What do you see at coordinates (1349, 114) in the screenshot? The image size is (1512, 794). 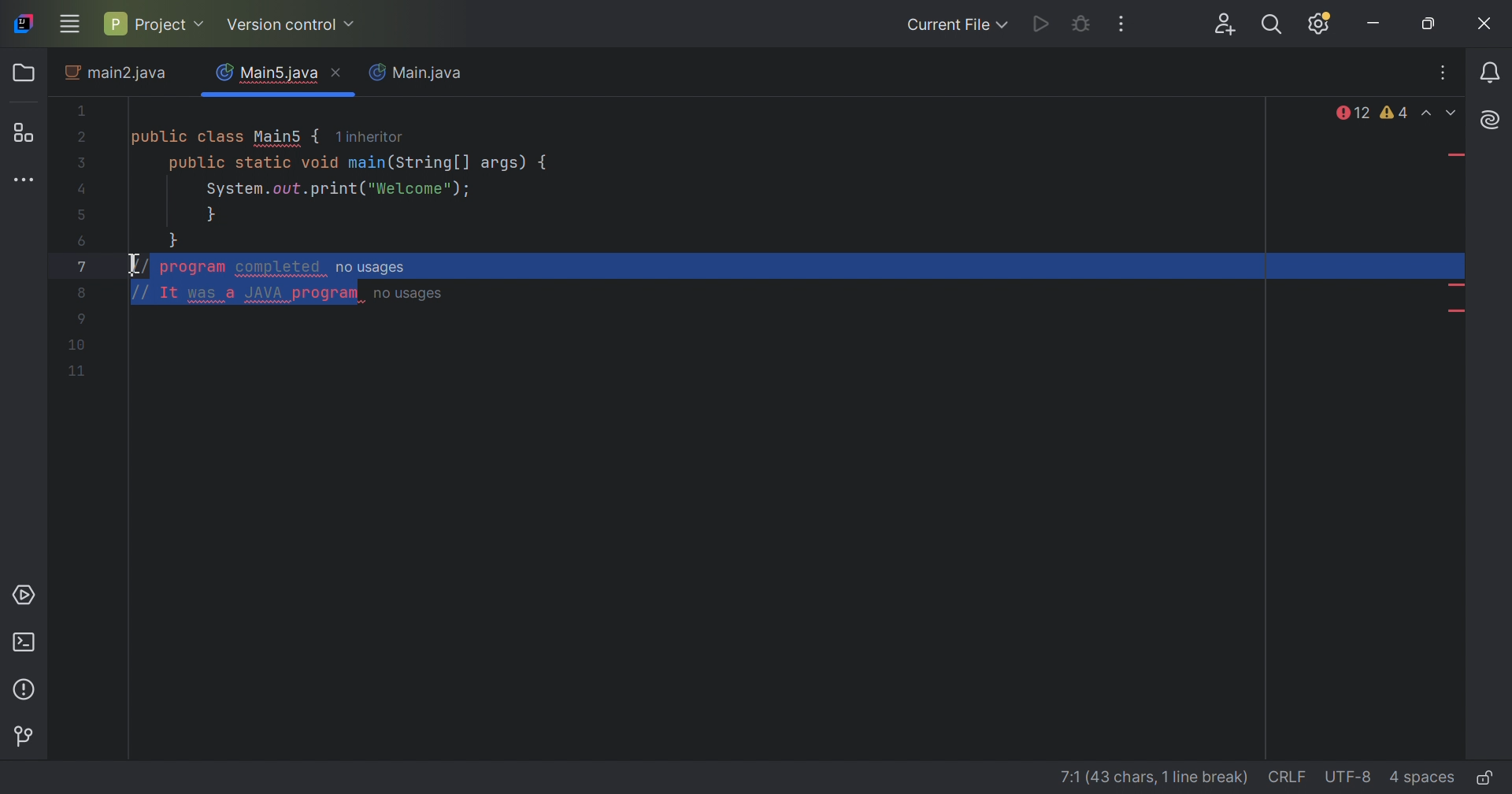 I see `Error notification` at bounding box center [1349, 114].